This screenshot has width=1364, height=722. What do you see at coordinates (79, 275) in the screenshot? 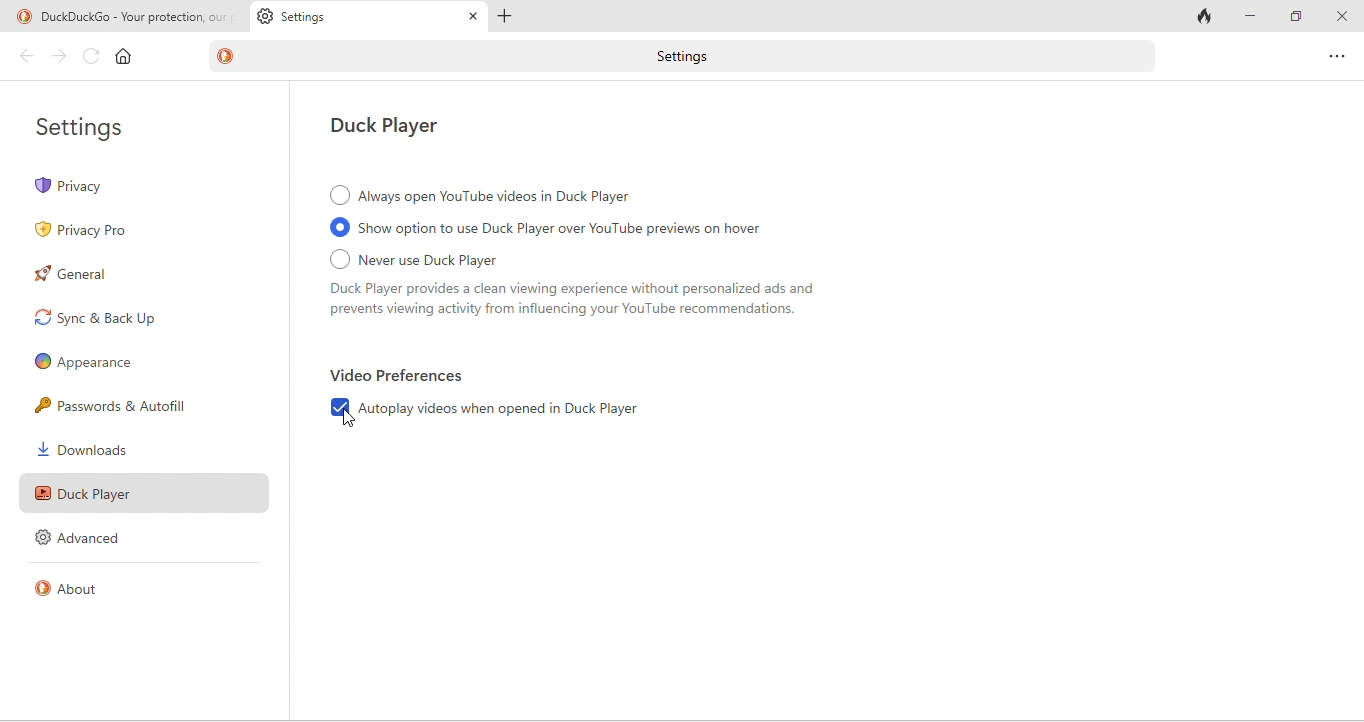
I see `general` at bounding box center [79, 275].